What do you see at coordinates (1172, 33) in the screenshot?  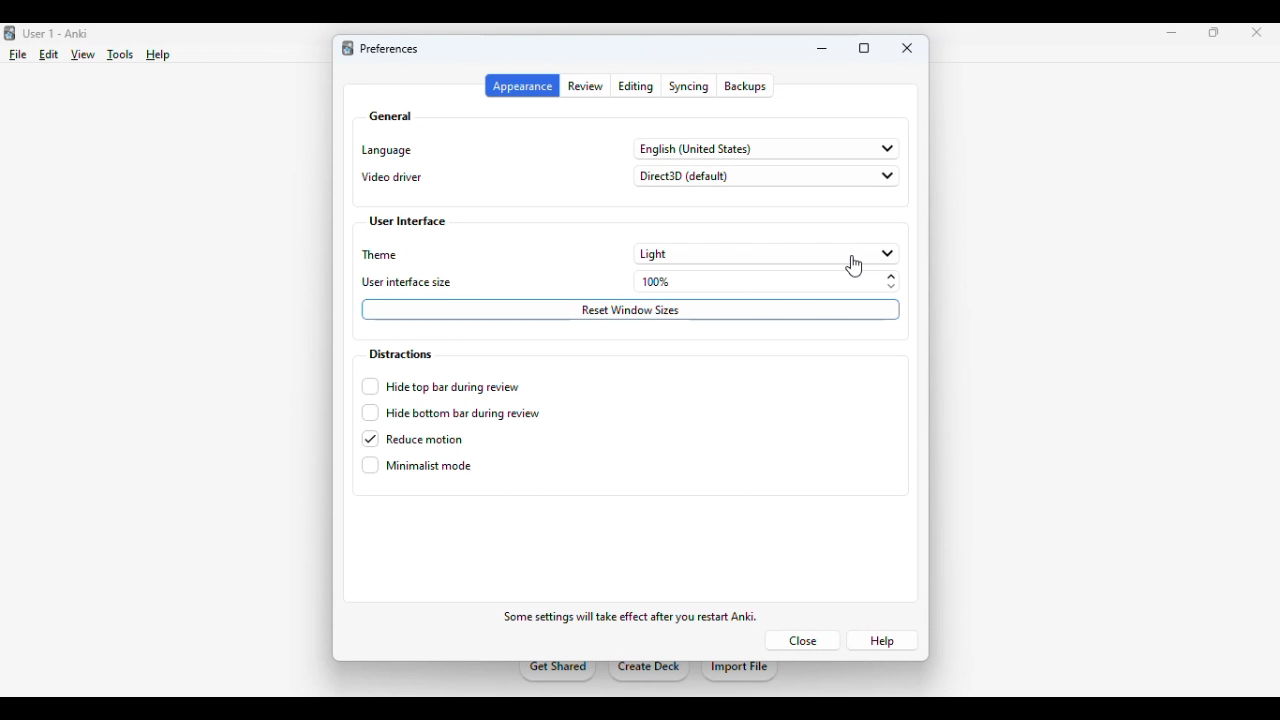 I see `minimize` at bounding box center [1172, 33].